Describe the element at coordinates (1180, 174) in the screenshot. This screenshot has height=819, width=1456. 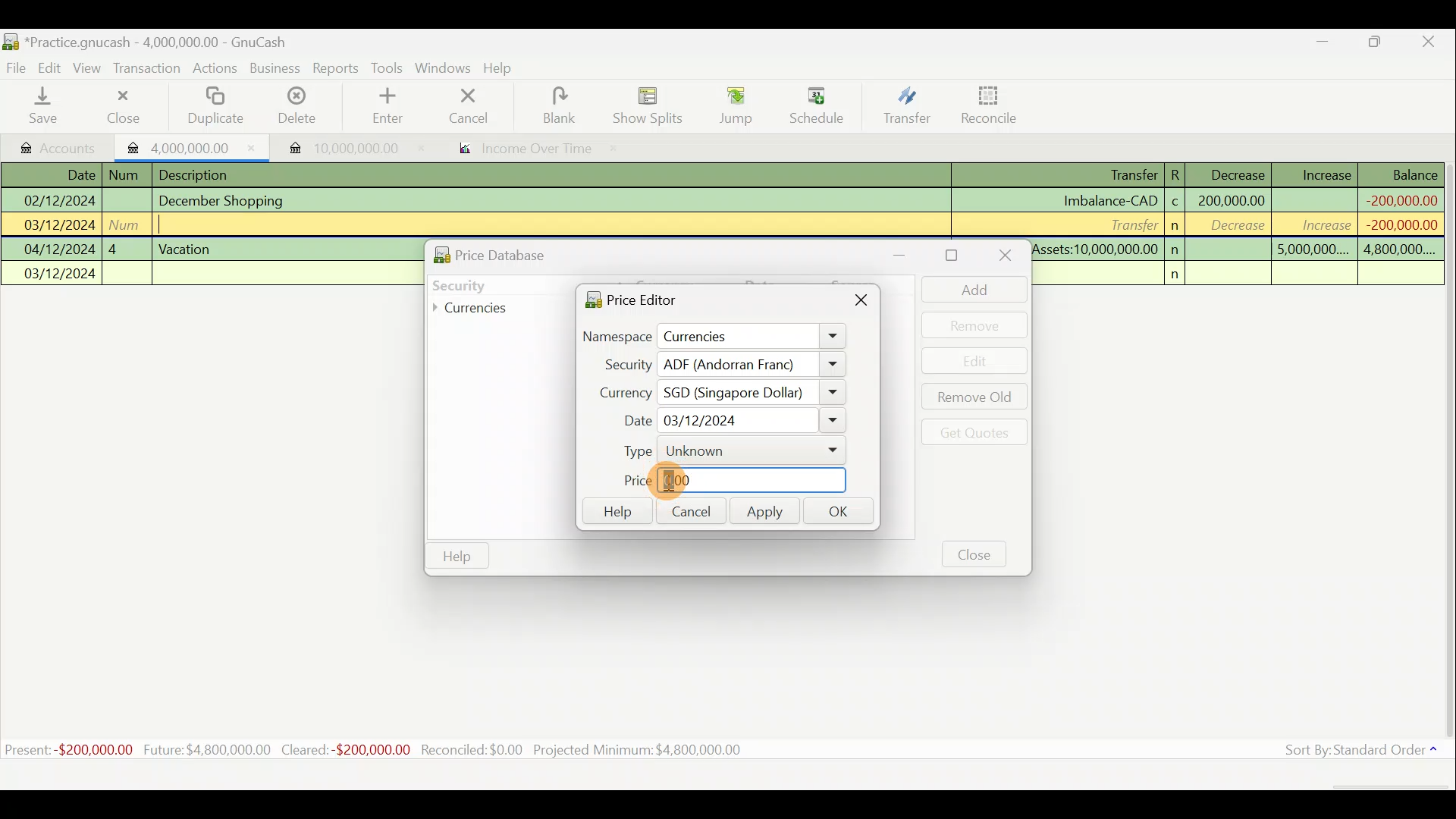
I see `R` at that location.